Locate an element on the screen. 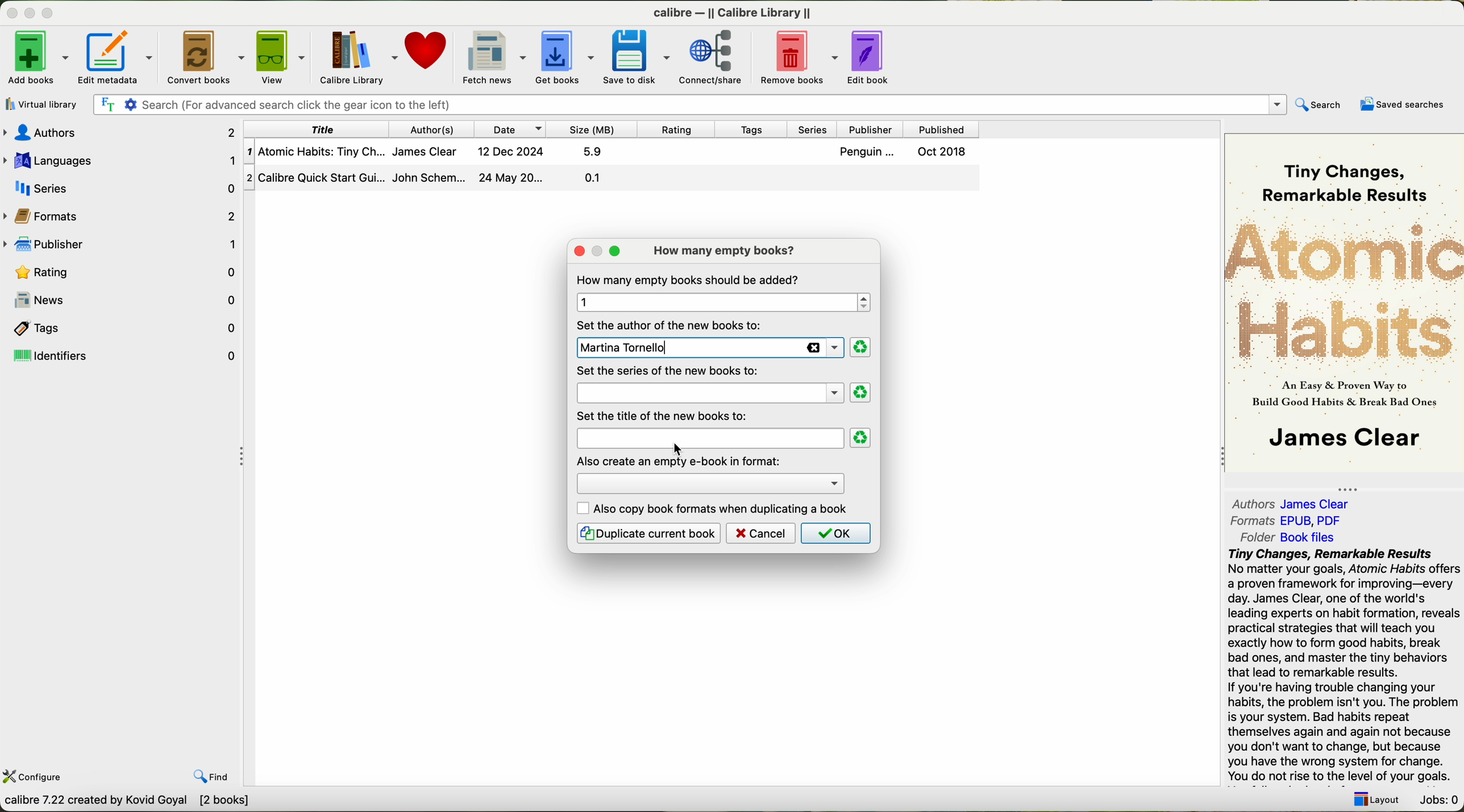 This screenshot has width=1464, height=812. rating is located at coordinates (681, 128).